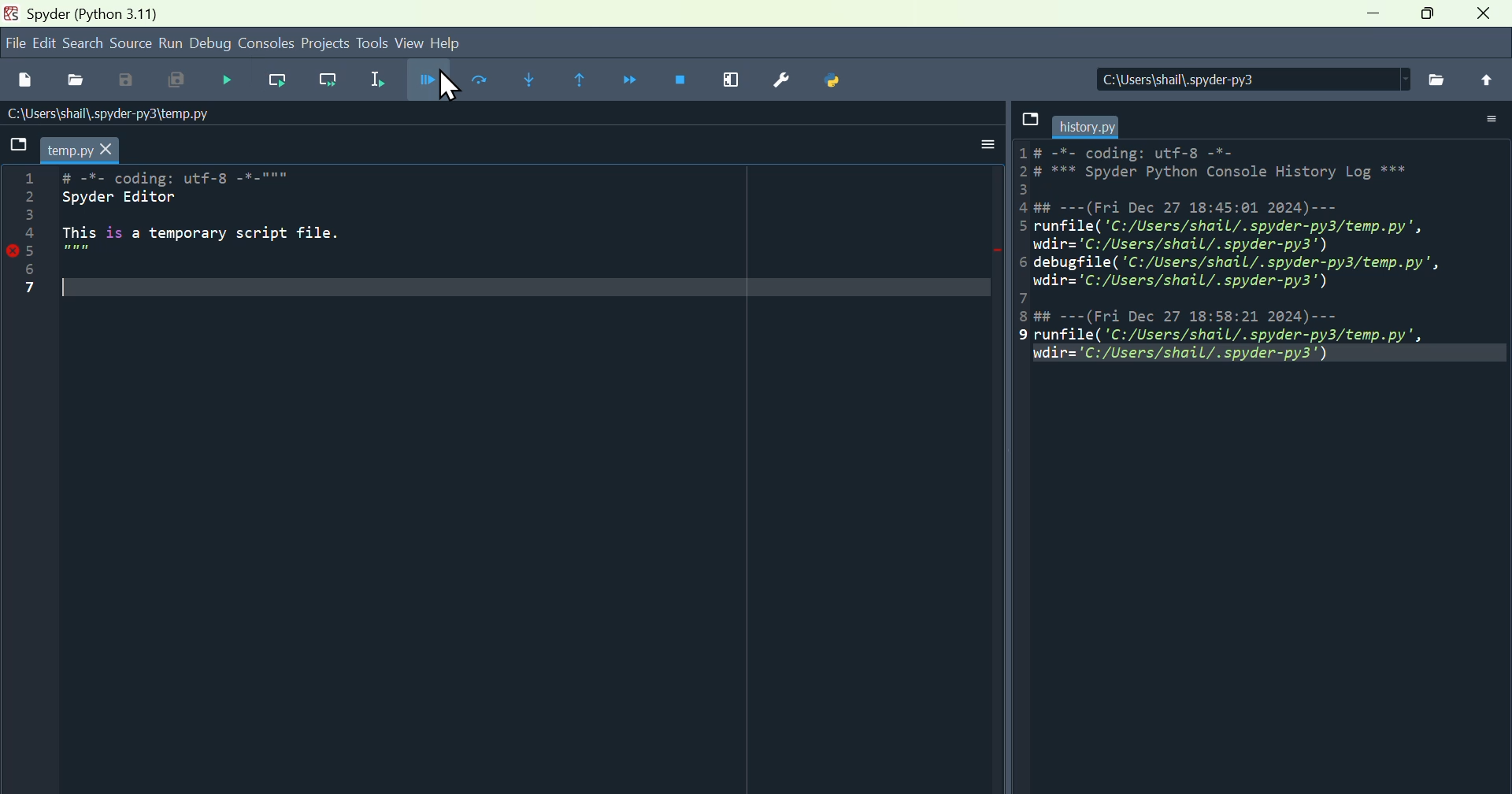 The width and height of the screenshot is (1512, 794). Describe the element at coordinates (182, 81) in the screenshot. I see `Save all` at that location.